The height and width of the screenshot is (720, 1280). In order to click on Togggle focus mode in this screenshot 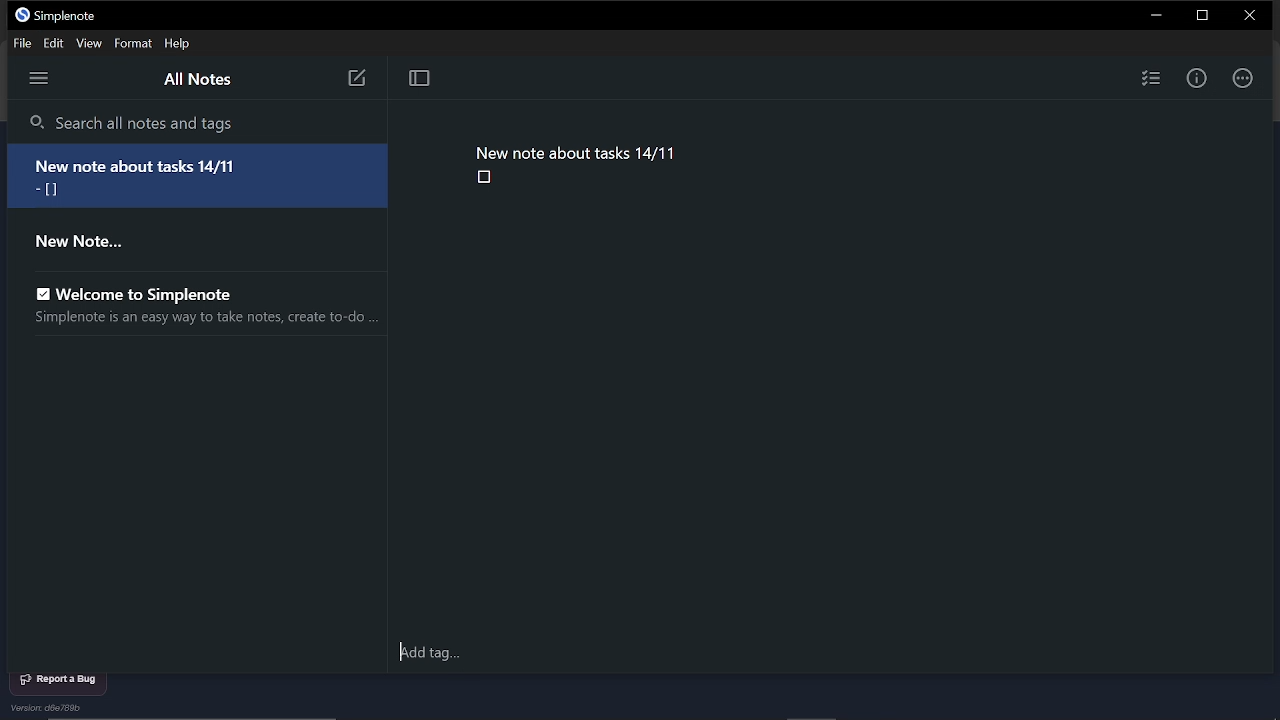, I will do `click(421, 79)`.